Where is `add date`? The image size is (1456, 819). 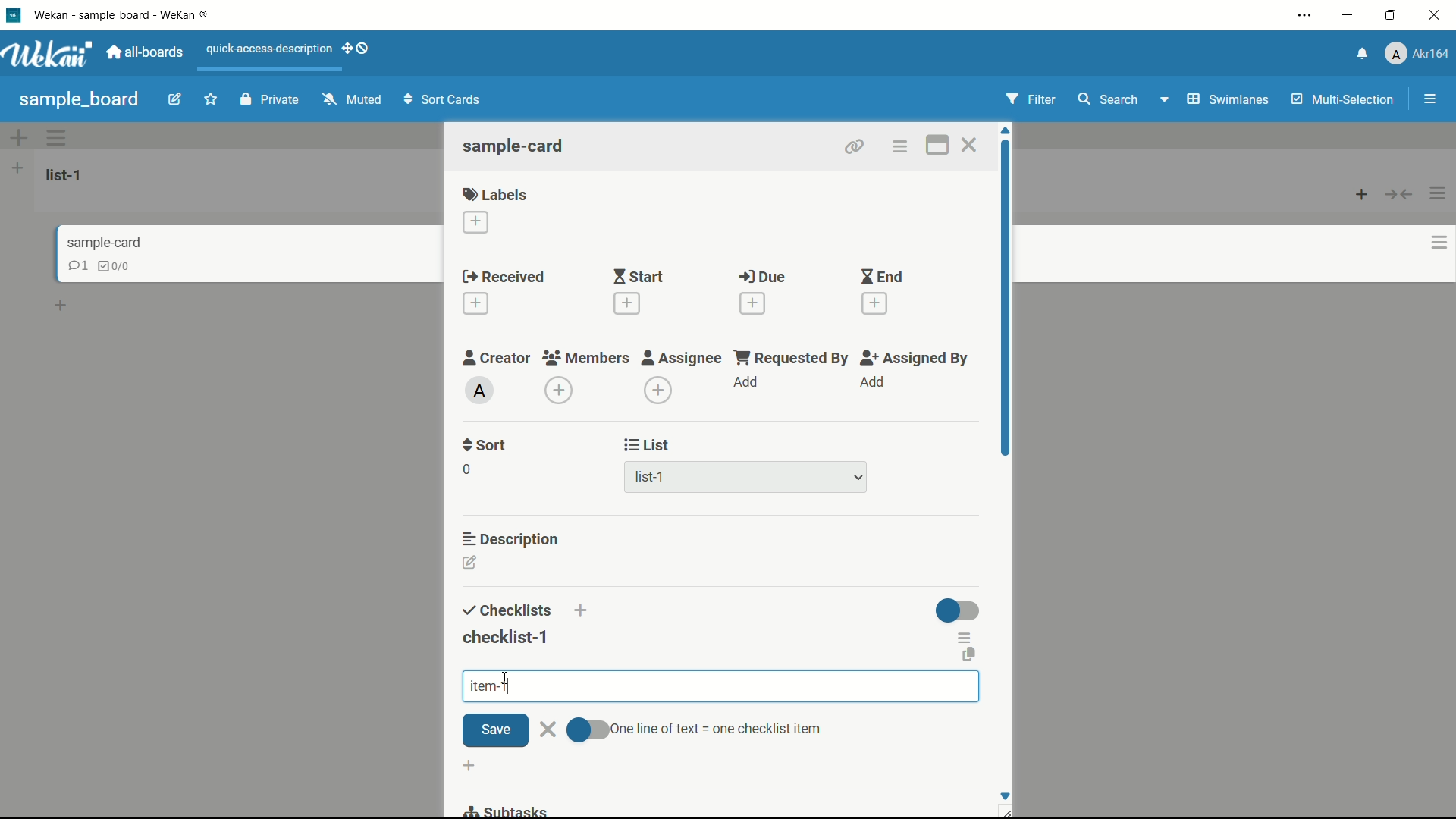
add date is located at coordinates (627, 303).